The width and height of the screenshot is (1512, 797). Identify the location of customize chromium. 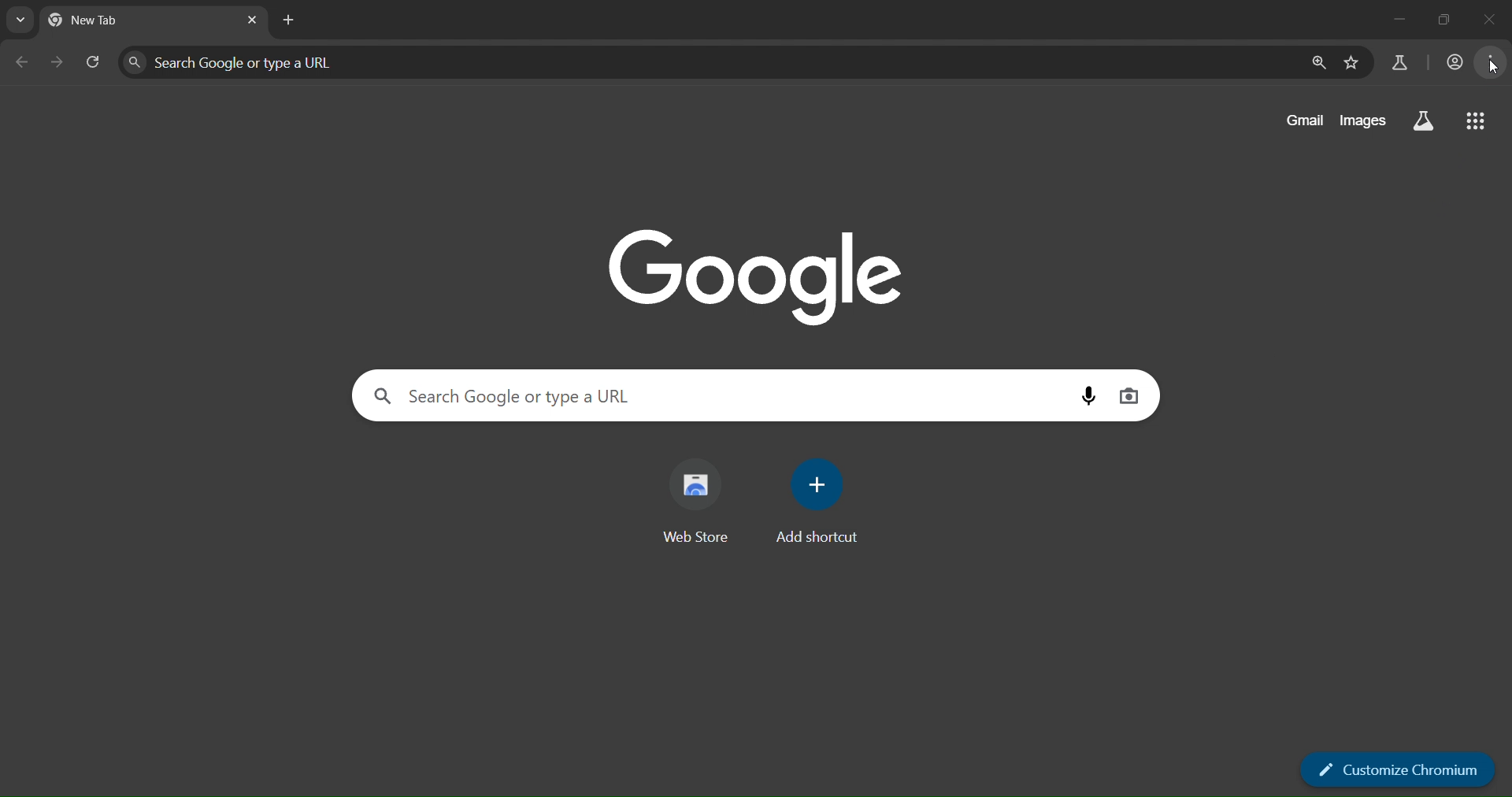
(1399, 770).